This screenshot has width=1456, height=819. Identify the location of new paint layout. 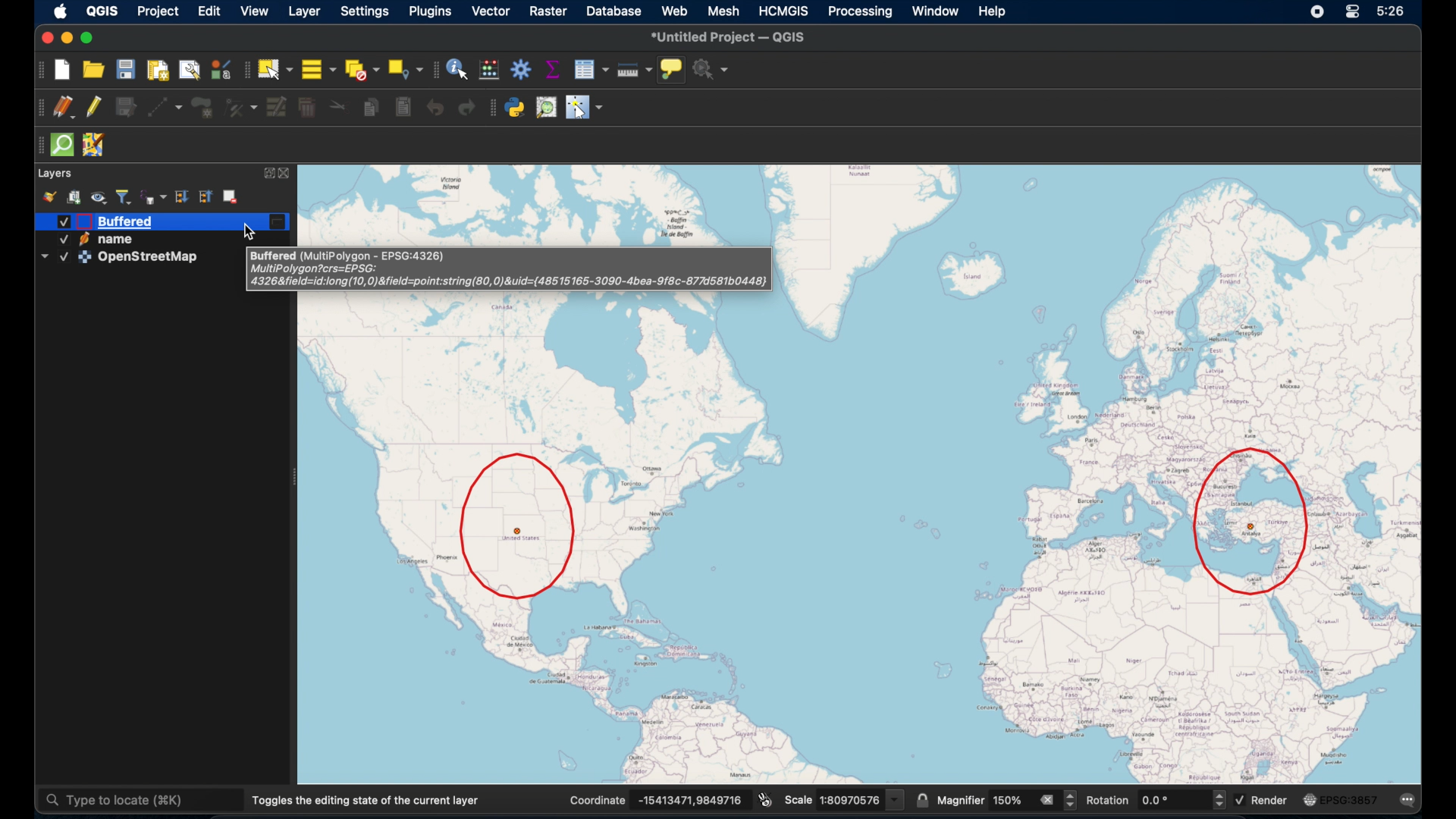
(158, 71).